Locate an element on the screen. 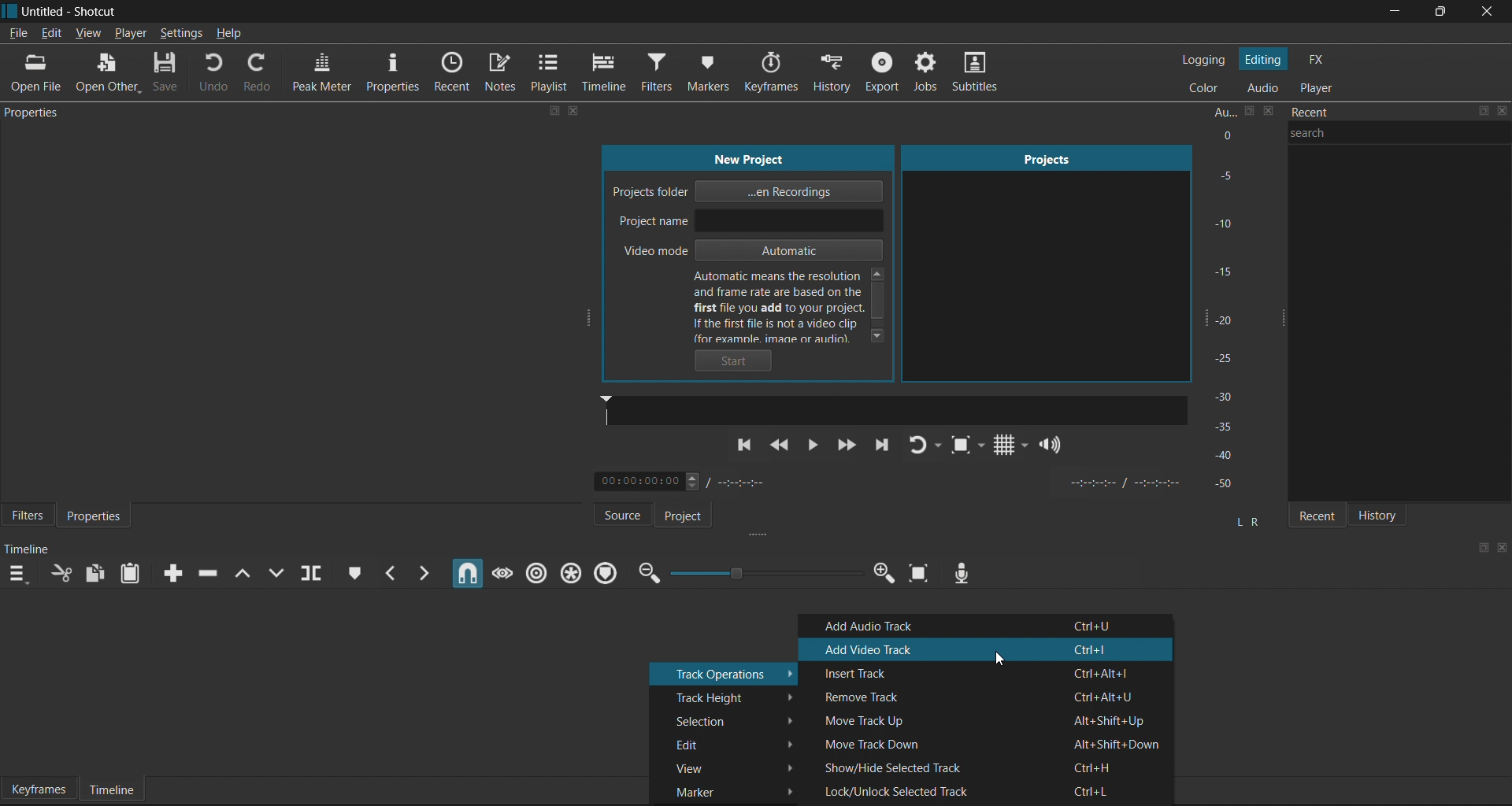 Image resolution: width=1512 pixels, height=806 pixels. Sound bar is located at coordinates (893, 409).